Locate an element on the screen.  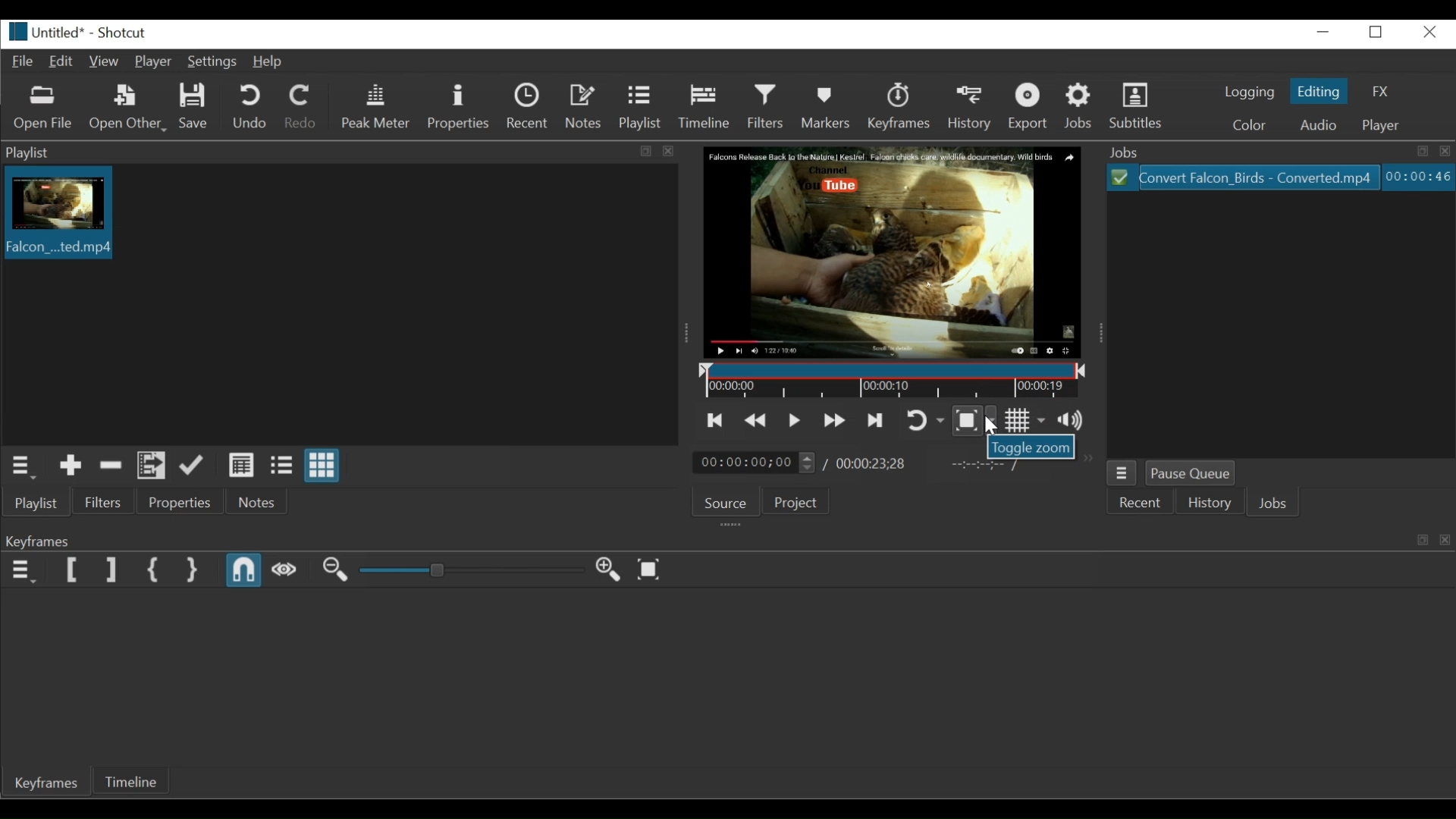
Set Filter last is located at coordinates (110, 571).